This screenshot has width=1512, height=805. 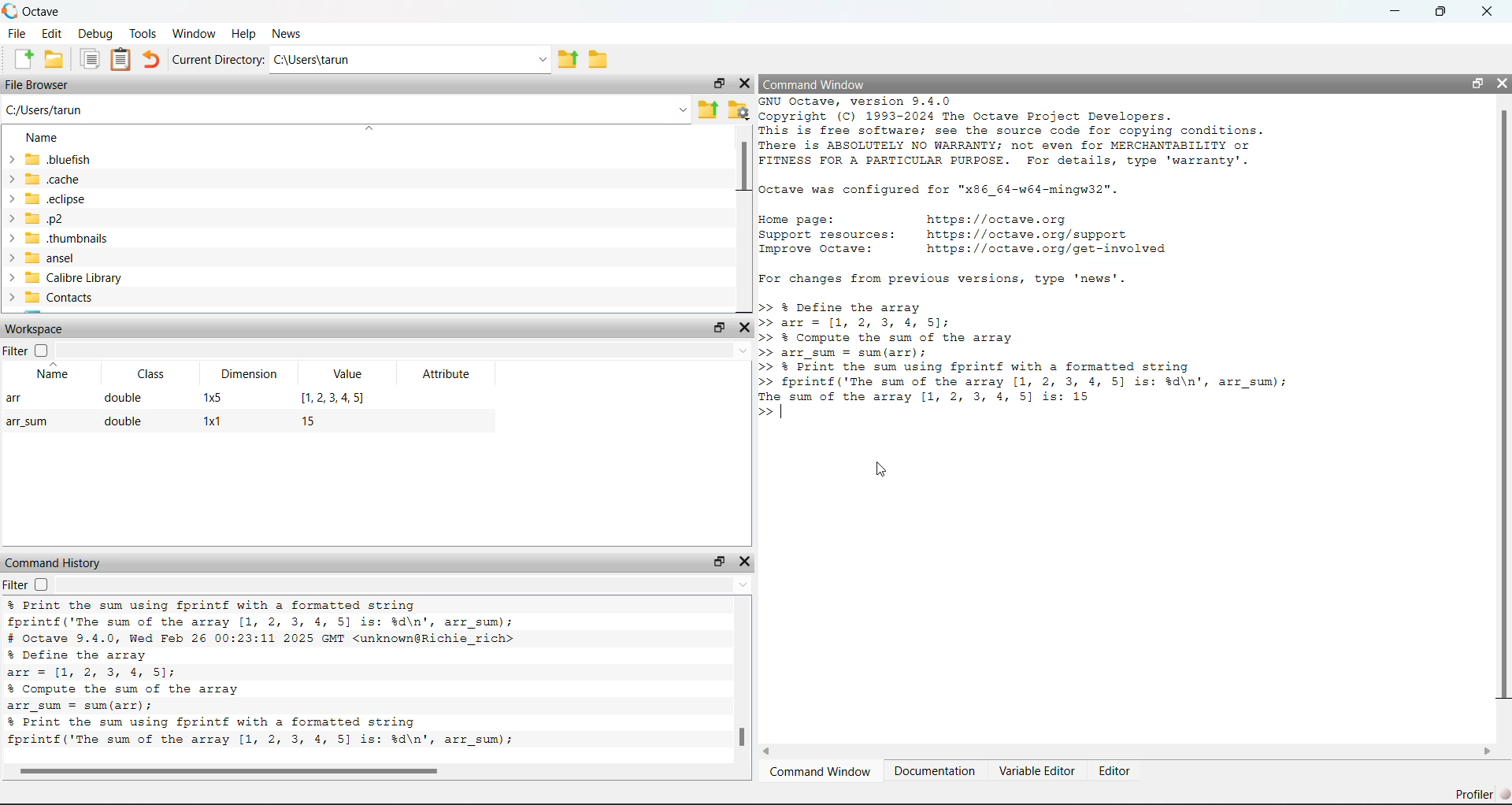 I want to click on New line, so click(x=765, y=414).